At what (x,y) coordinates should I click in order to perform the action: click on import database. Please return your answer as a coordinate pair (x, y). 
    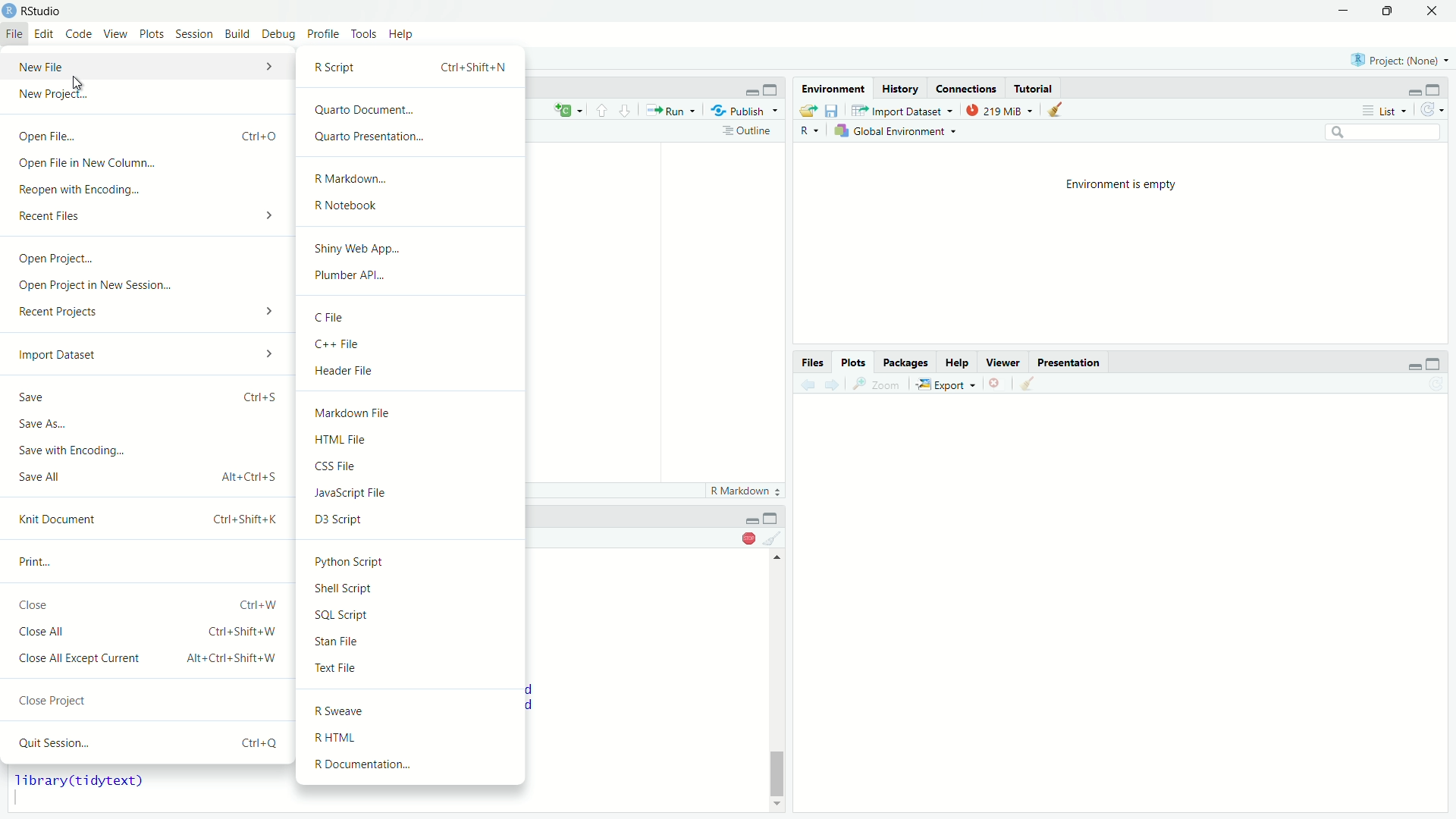
    Looking at the image, I should click on (903, 111).